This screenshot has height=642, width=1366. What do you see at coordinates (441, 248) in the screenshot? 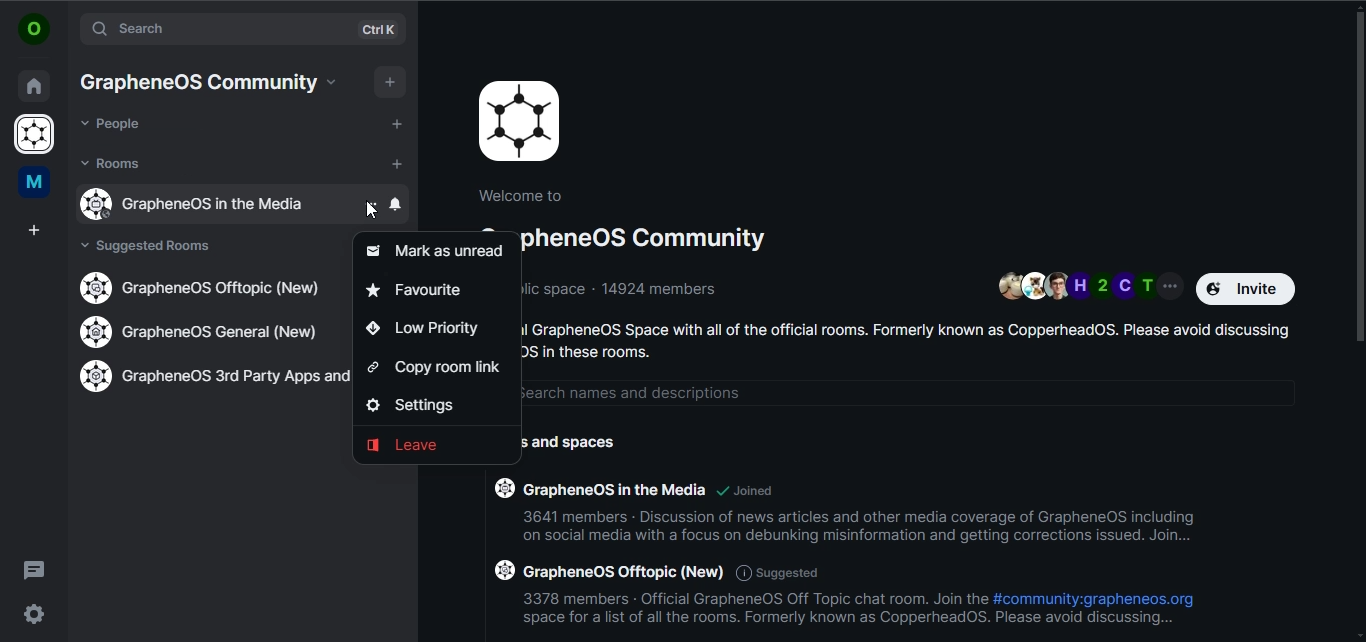
I see `mark as unread` at bounding box center [441, 248].